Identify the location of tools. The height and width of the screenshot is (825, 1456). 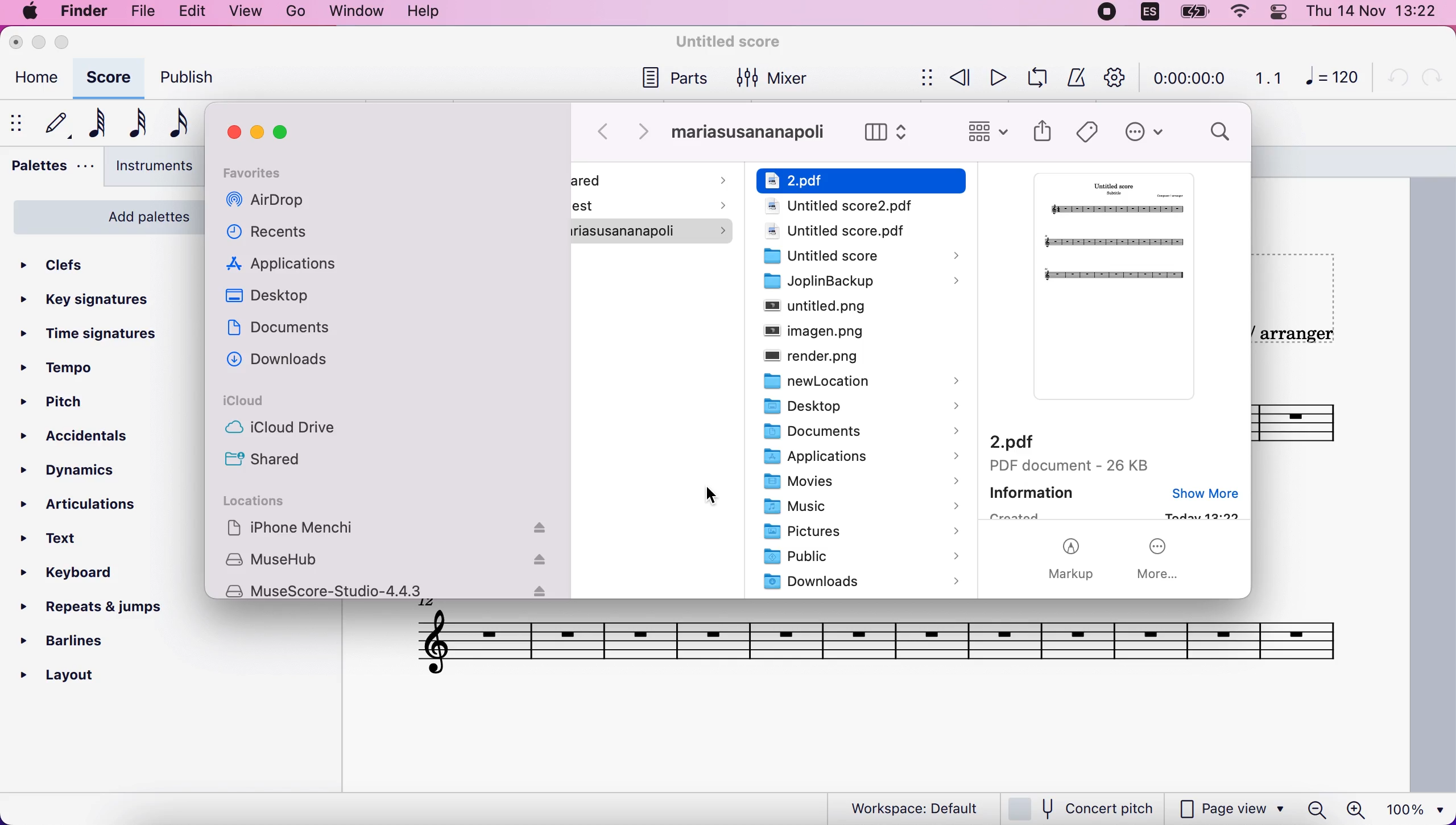
(425, 13).